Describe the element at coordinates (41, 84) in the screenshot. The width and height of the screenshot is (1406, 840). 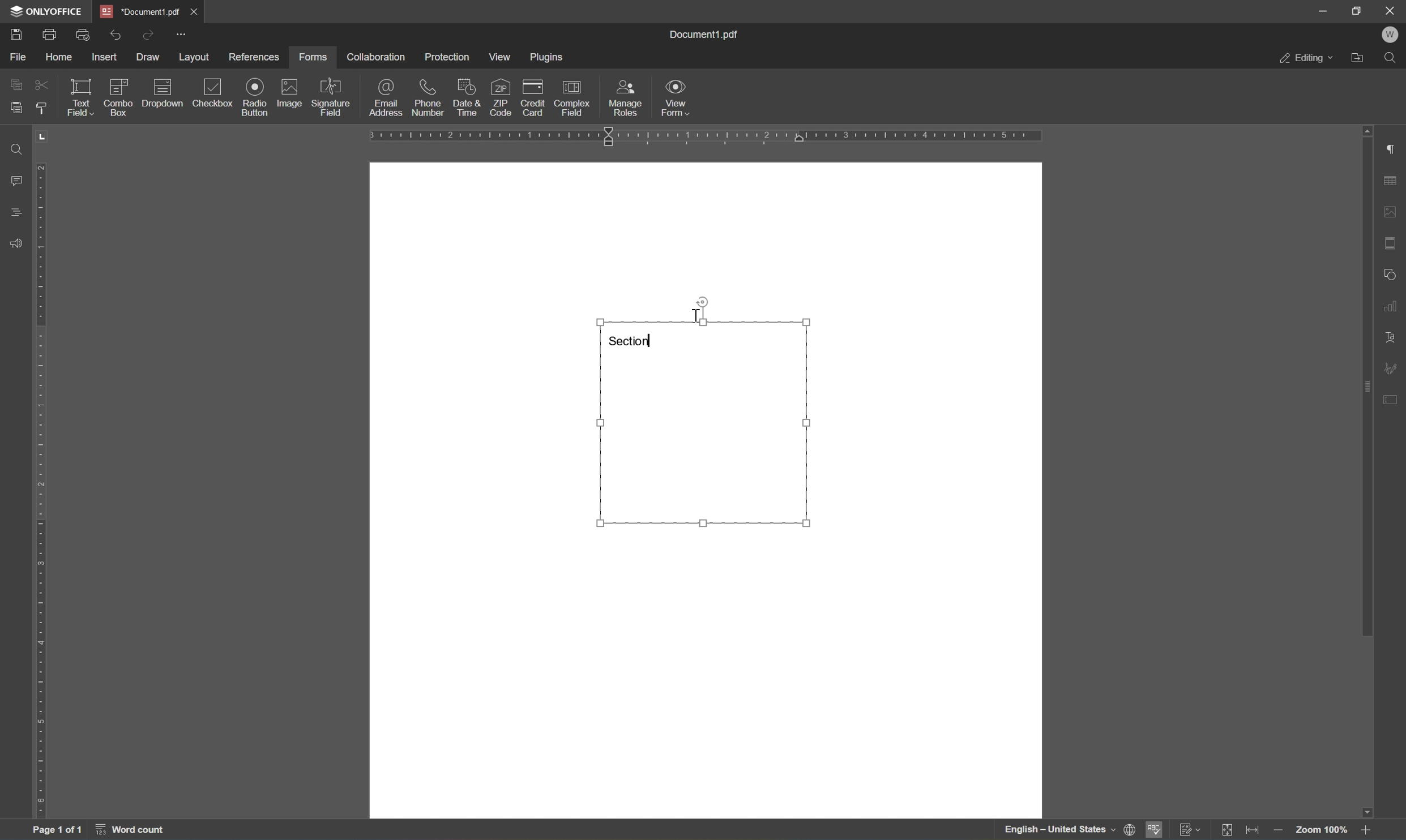
I see `cut` at that location.